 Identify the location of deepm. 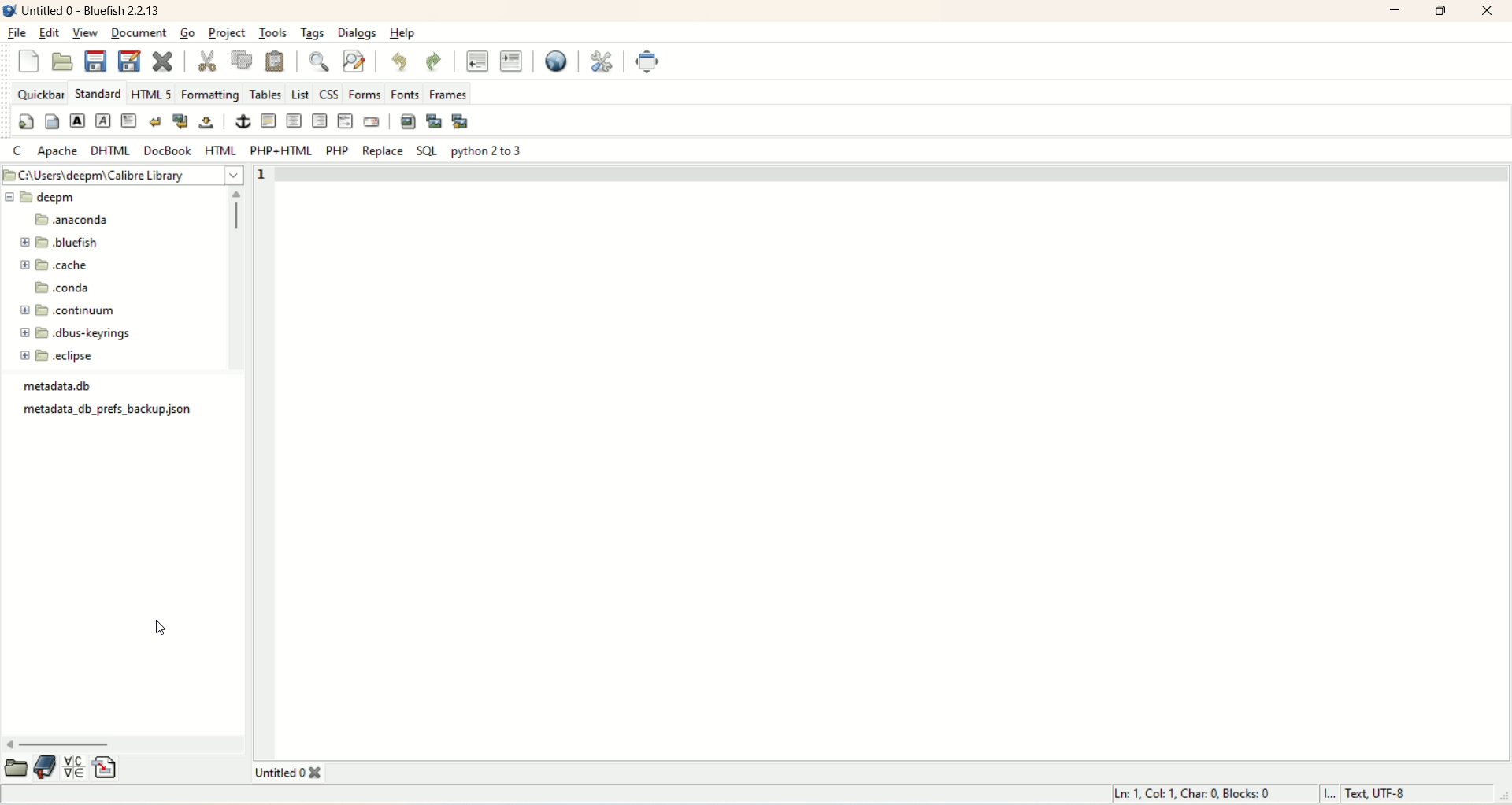
(44, 198).